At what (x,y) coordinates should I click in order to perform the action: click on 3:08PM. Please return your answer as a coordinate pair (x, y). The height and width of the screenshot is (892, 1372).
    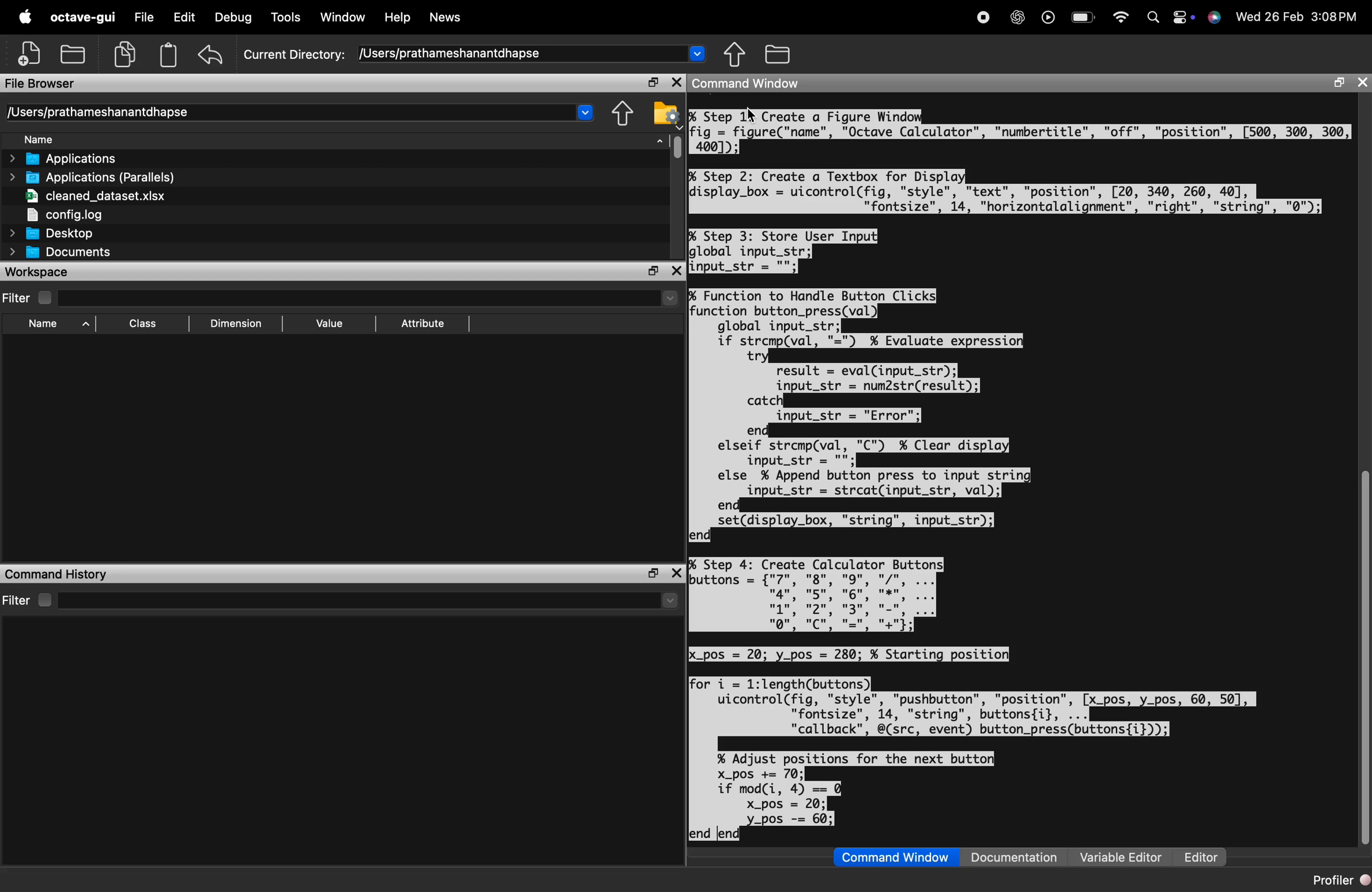
    Looking at the image, I should click on (1333, 17).